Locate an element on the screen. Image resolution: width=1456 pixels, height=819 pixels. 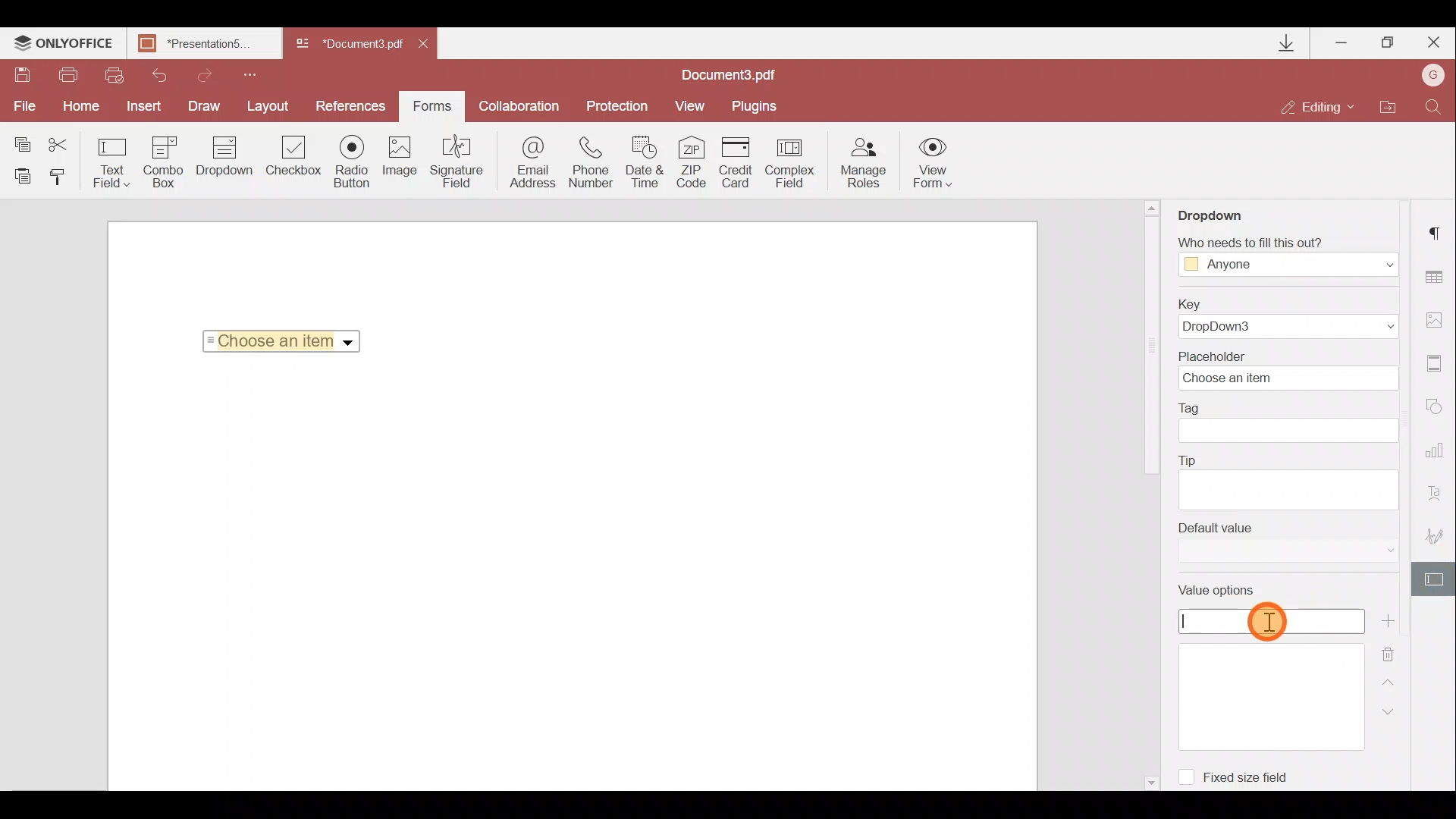
Headers & footers settings is located at coordinates (1439, 364).